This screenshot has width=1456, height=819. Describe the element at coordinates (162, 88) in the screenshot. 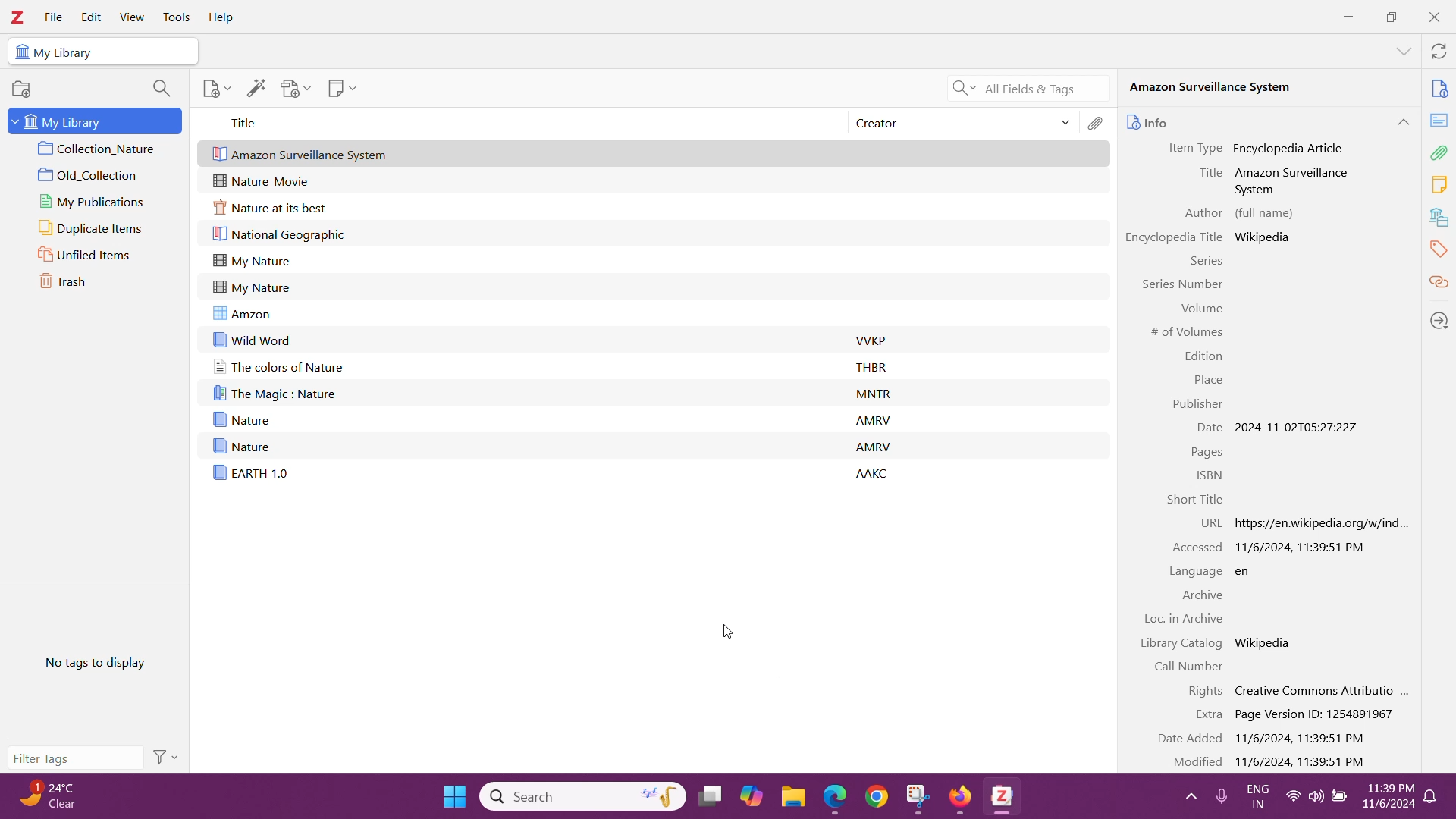

I see `Filter Collection` at that location.